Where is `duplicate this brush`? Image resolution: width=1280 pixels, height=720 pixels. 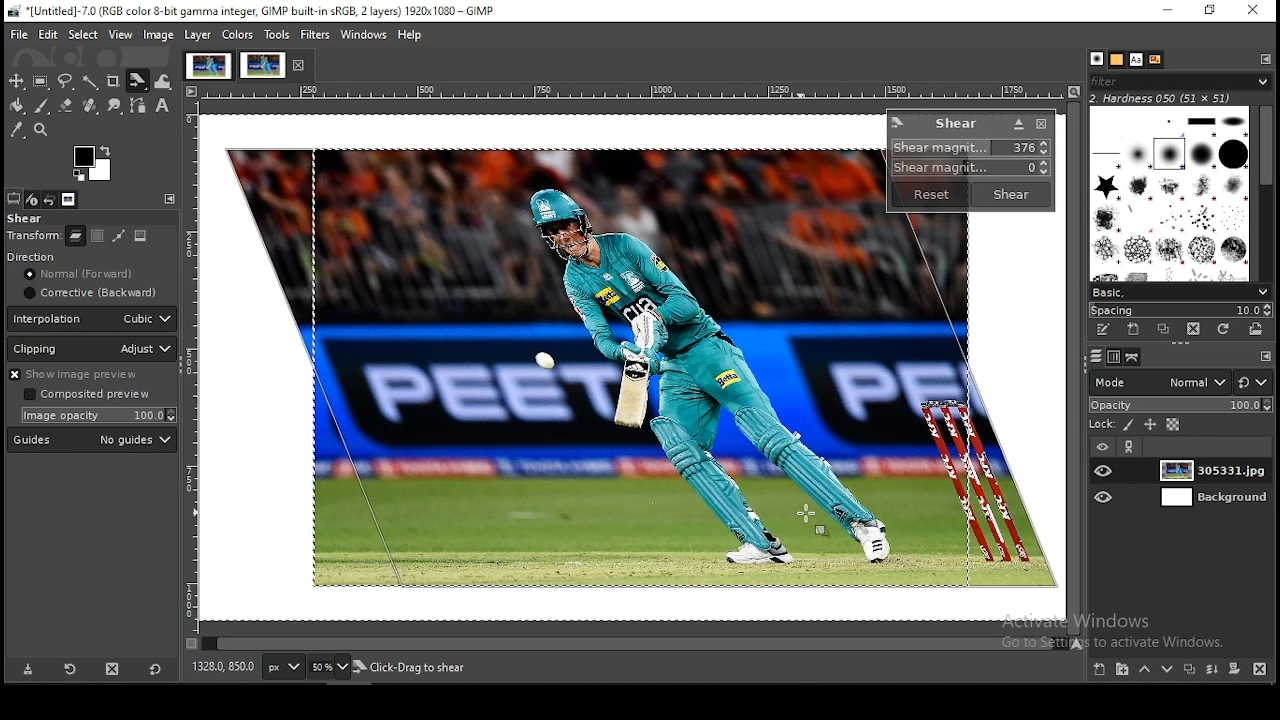 duplicate this brush is located at coordinates (1163, 329).